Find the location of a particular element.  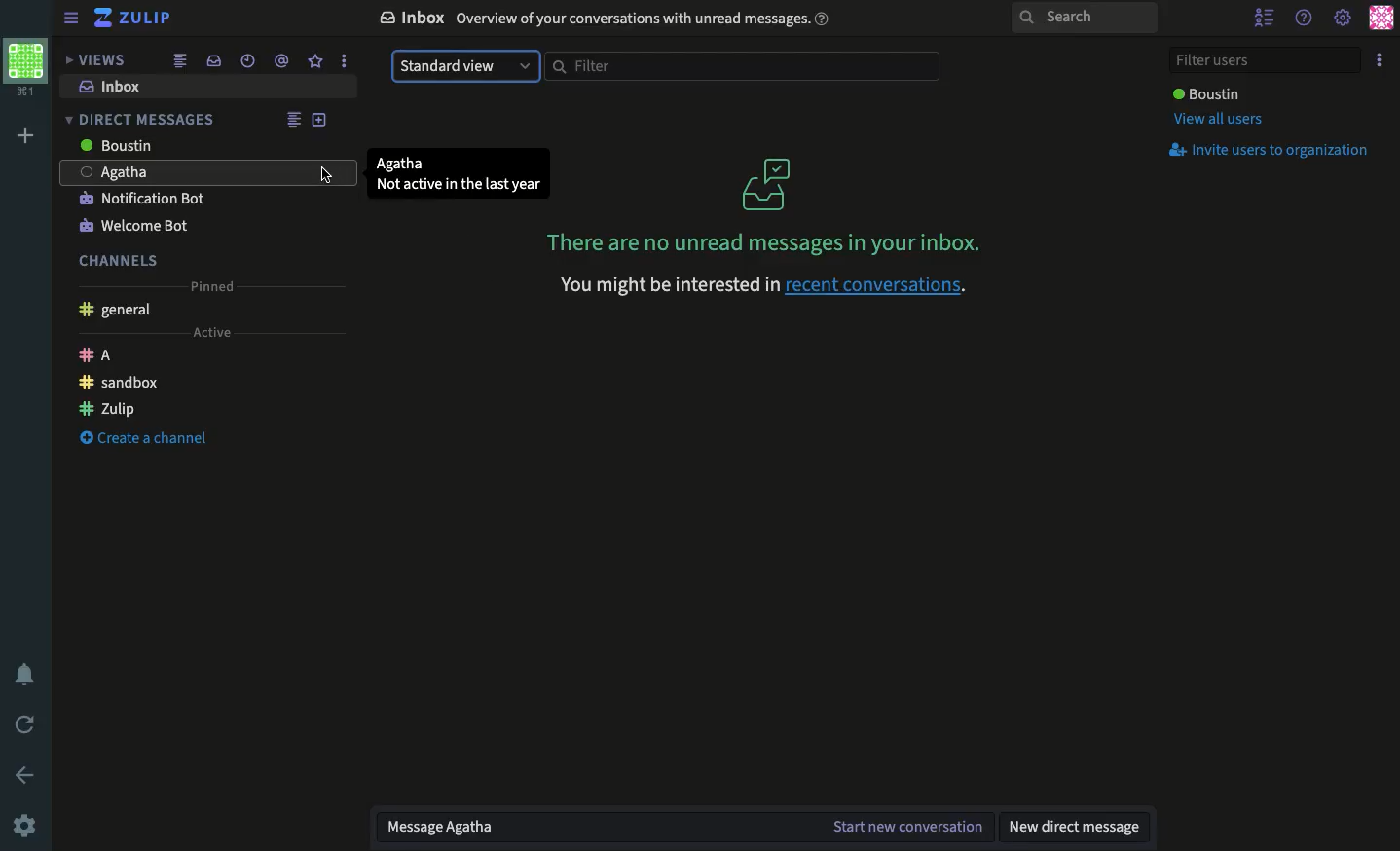

Options is located at coordinates (1379, 59).